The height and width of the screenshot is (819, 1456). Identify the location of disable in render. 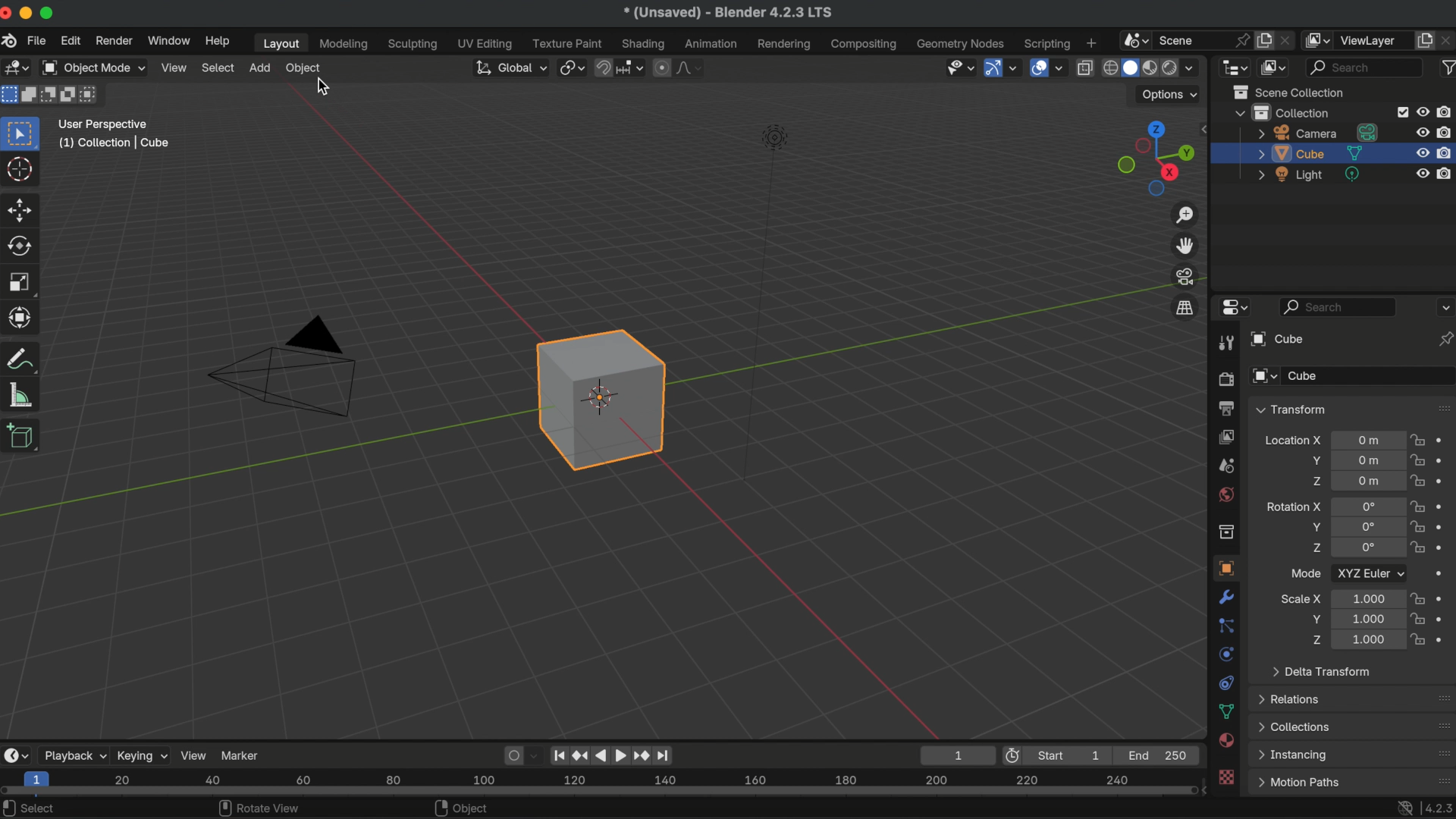
(1446, 111).